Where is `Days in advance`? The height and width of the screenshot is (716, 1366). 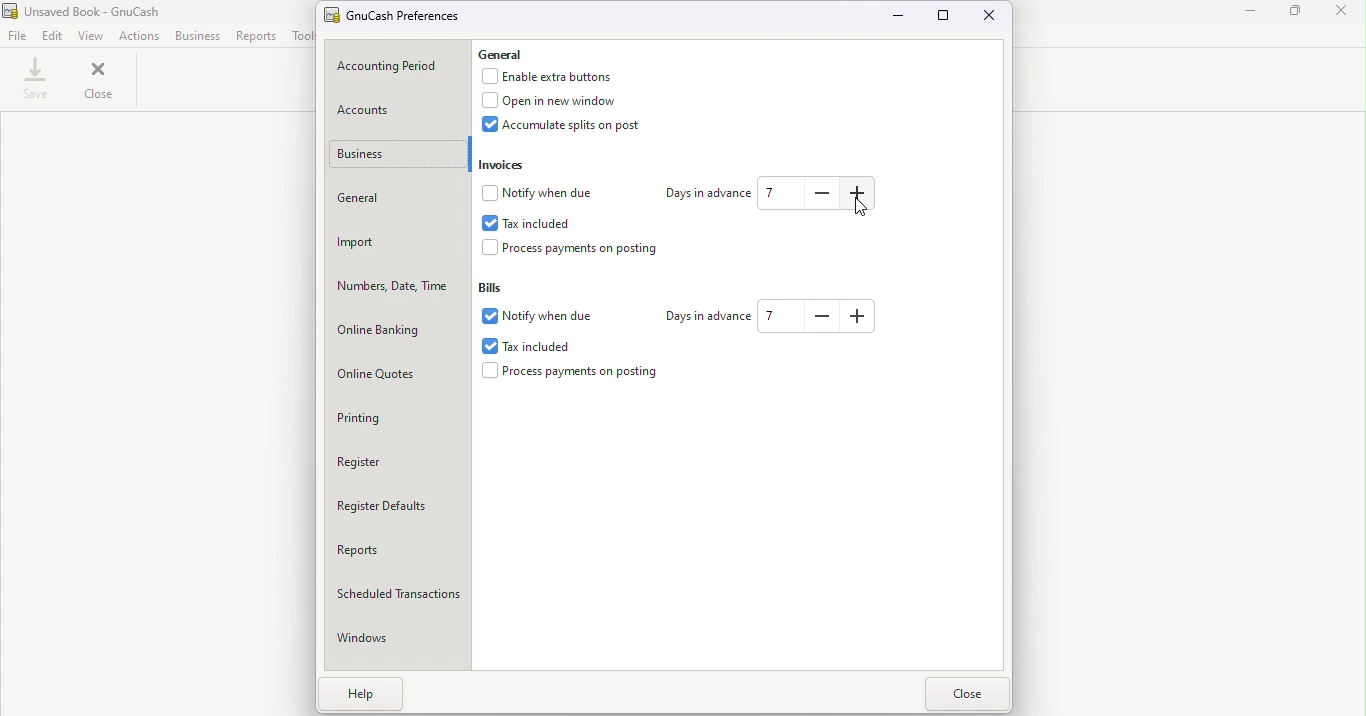
Days in advance is located at coordinates (700, 191).